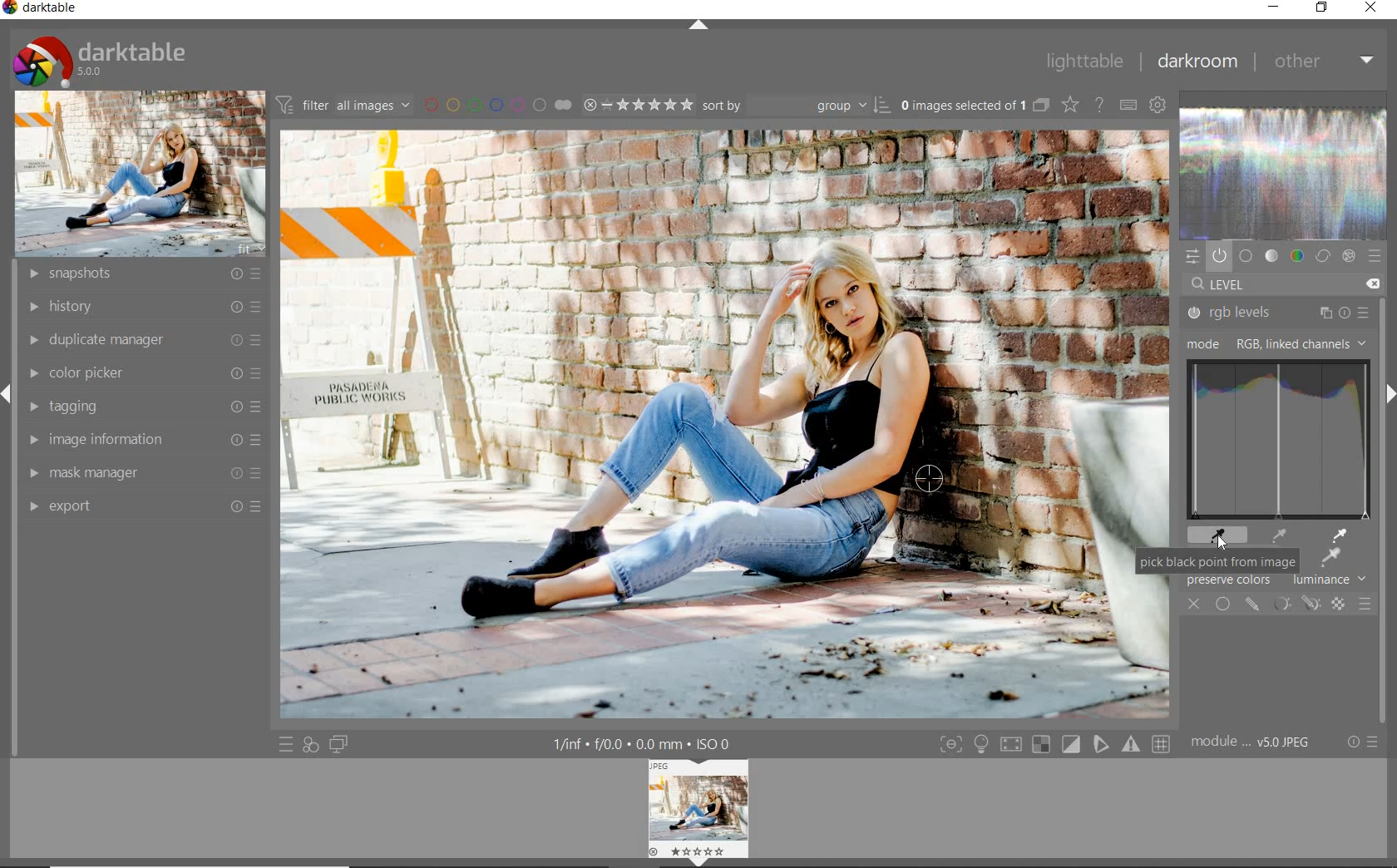 This screenshot has width=1397, height=868. I want to click on tone, so click(1272, 254).